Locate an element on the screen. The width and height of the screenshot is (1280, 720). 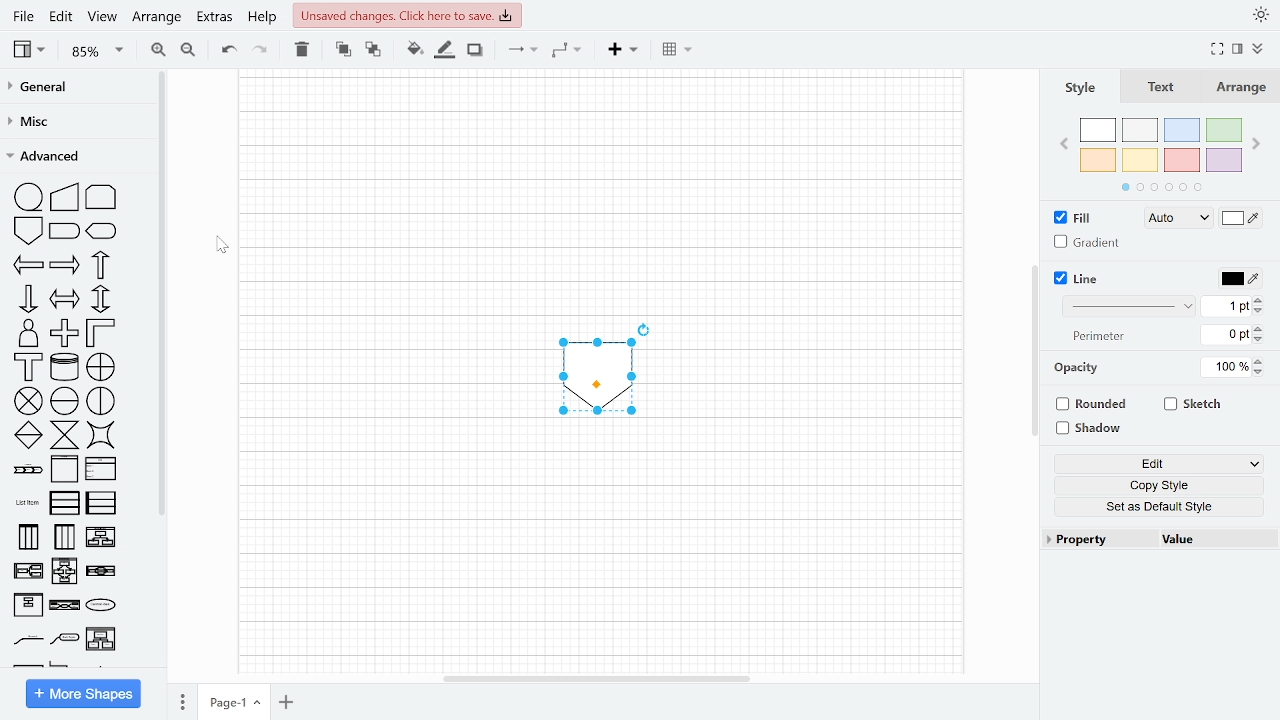
manual input is located at coordinates (65, 196).